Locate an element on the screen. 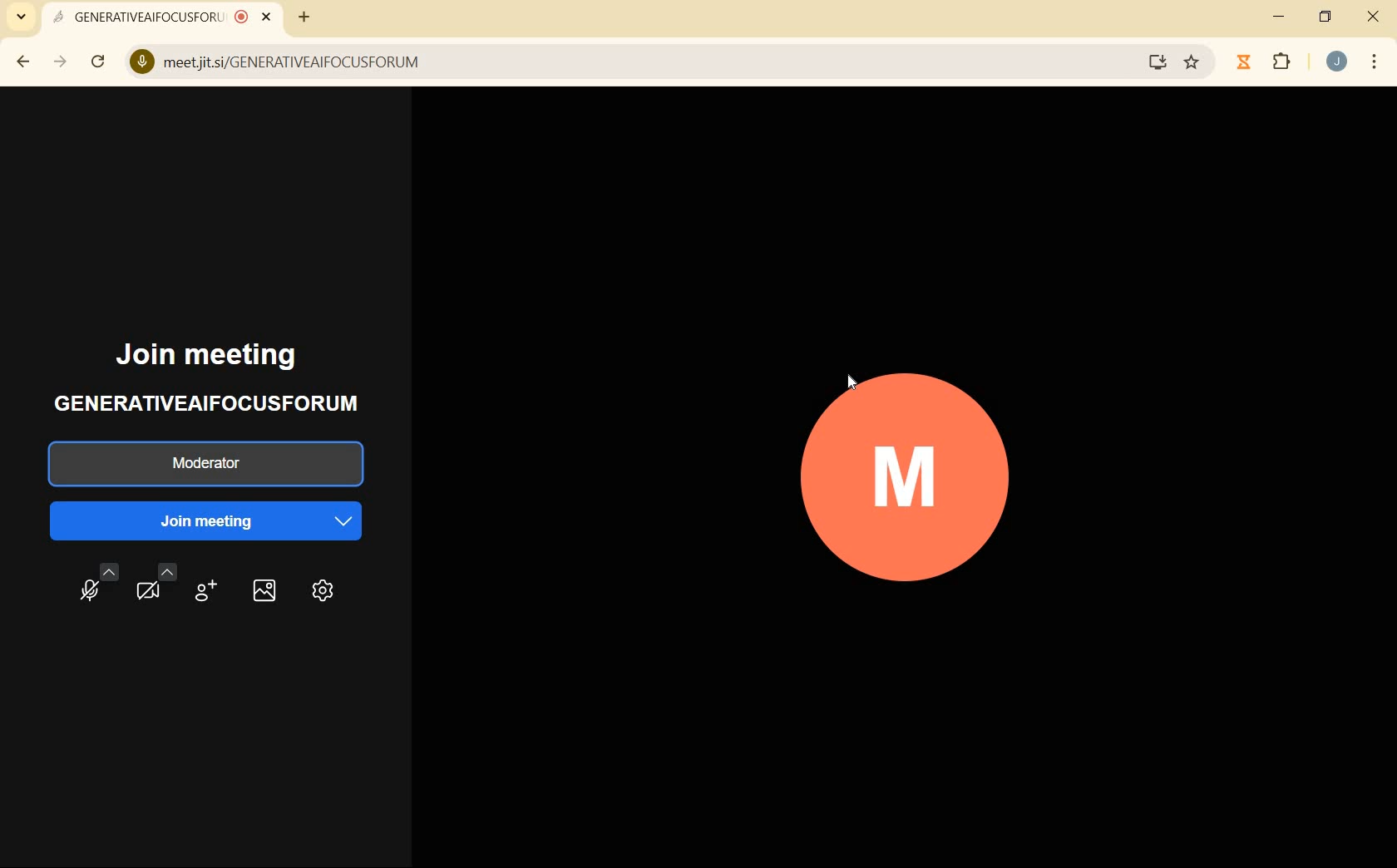 Image resolution: width=1397 pixels, height=868 pixels. PARTICIPANT'S PROFILE PICTURE is located at coordinates (907, 477).